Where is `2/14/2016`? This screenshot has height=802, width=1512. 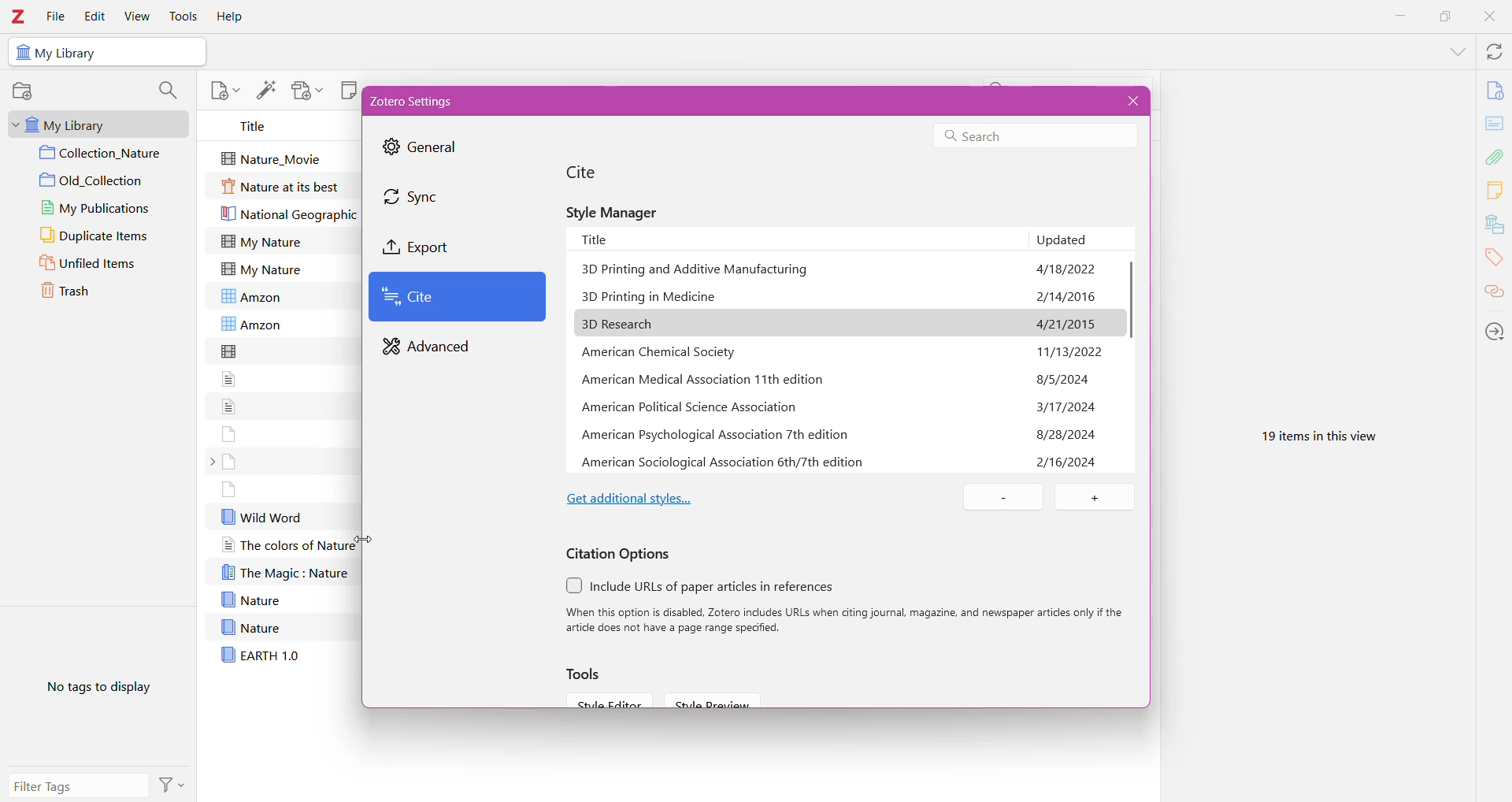 2/14/2016 is located at coordinates (1067, 297).